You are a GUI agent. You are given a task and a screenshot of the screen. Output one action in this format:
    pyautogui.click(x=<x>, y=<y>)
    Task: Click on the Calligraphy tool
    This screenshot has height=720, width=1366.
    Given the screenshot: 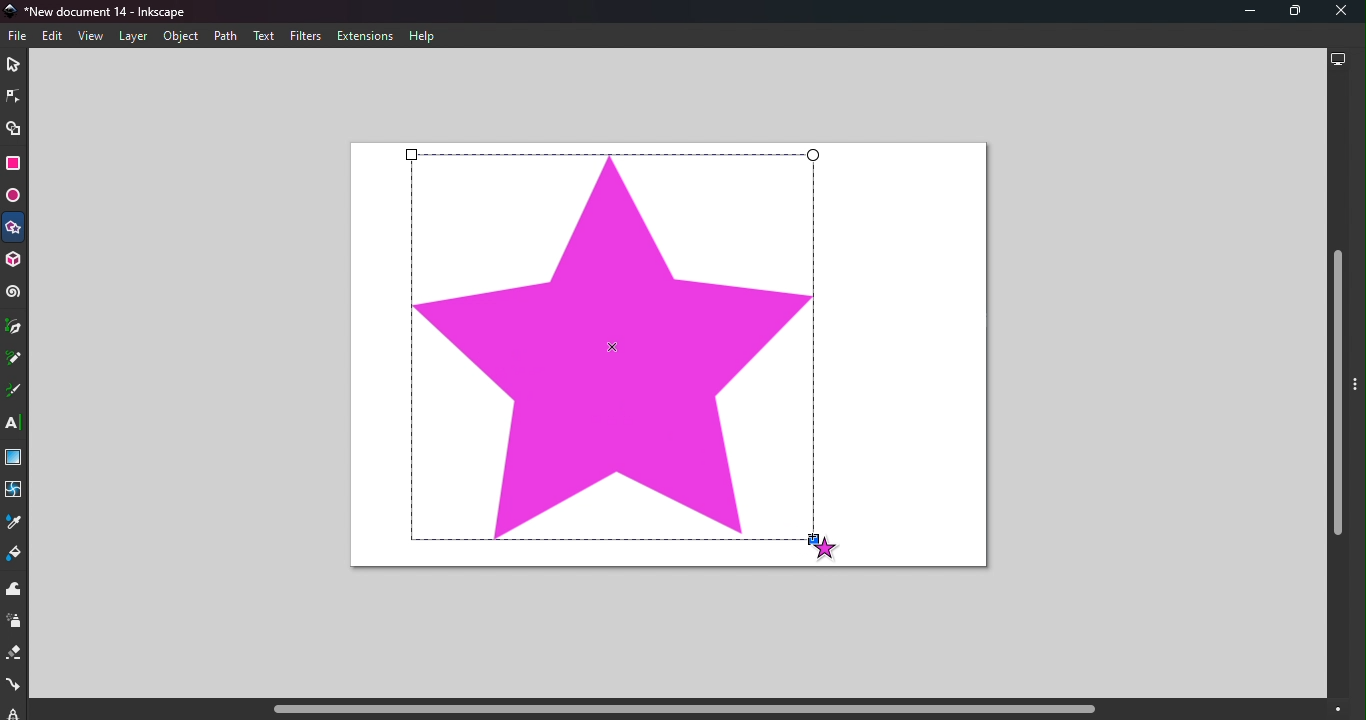 What is the action you would take?
    pyautogui.click(x=14, y=392)
    